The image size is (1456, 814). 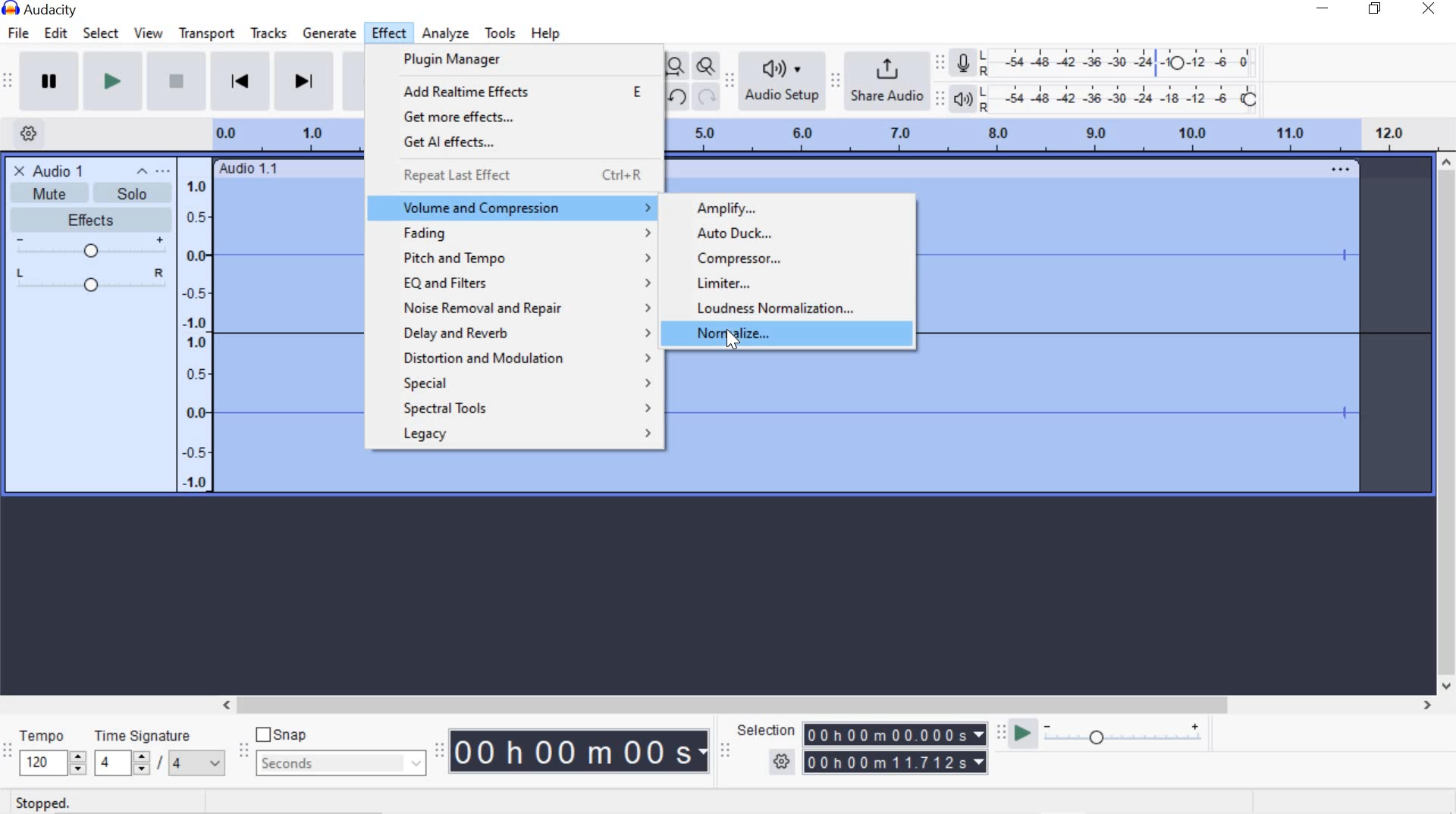 I want to click on generate, so click(x=331, y=34).